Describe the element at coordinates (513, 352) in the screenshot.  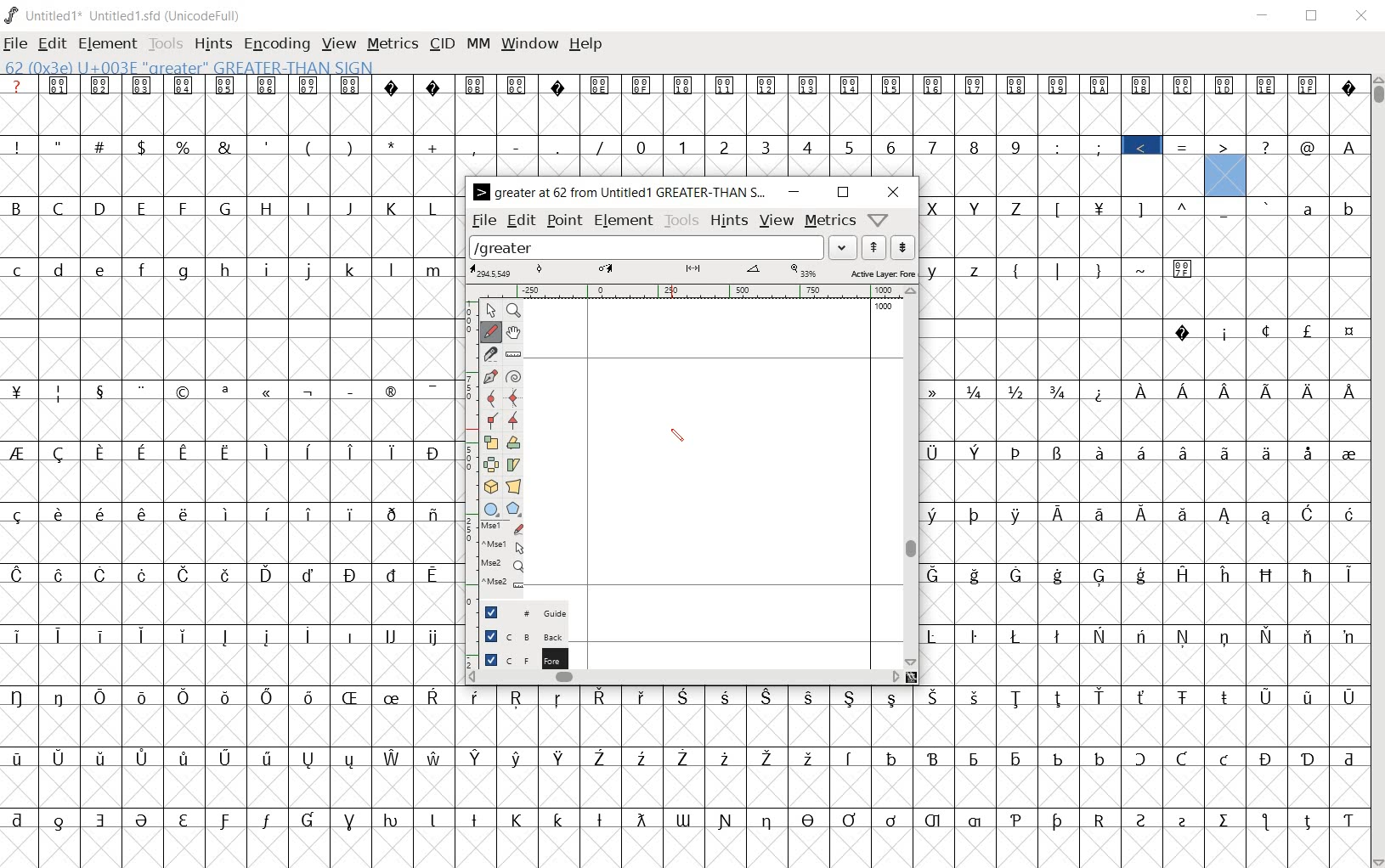
I see `measure a distance, angle between points` at that location.